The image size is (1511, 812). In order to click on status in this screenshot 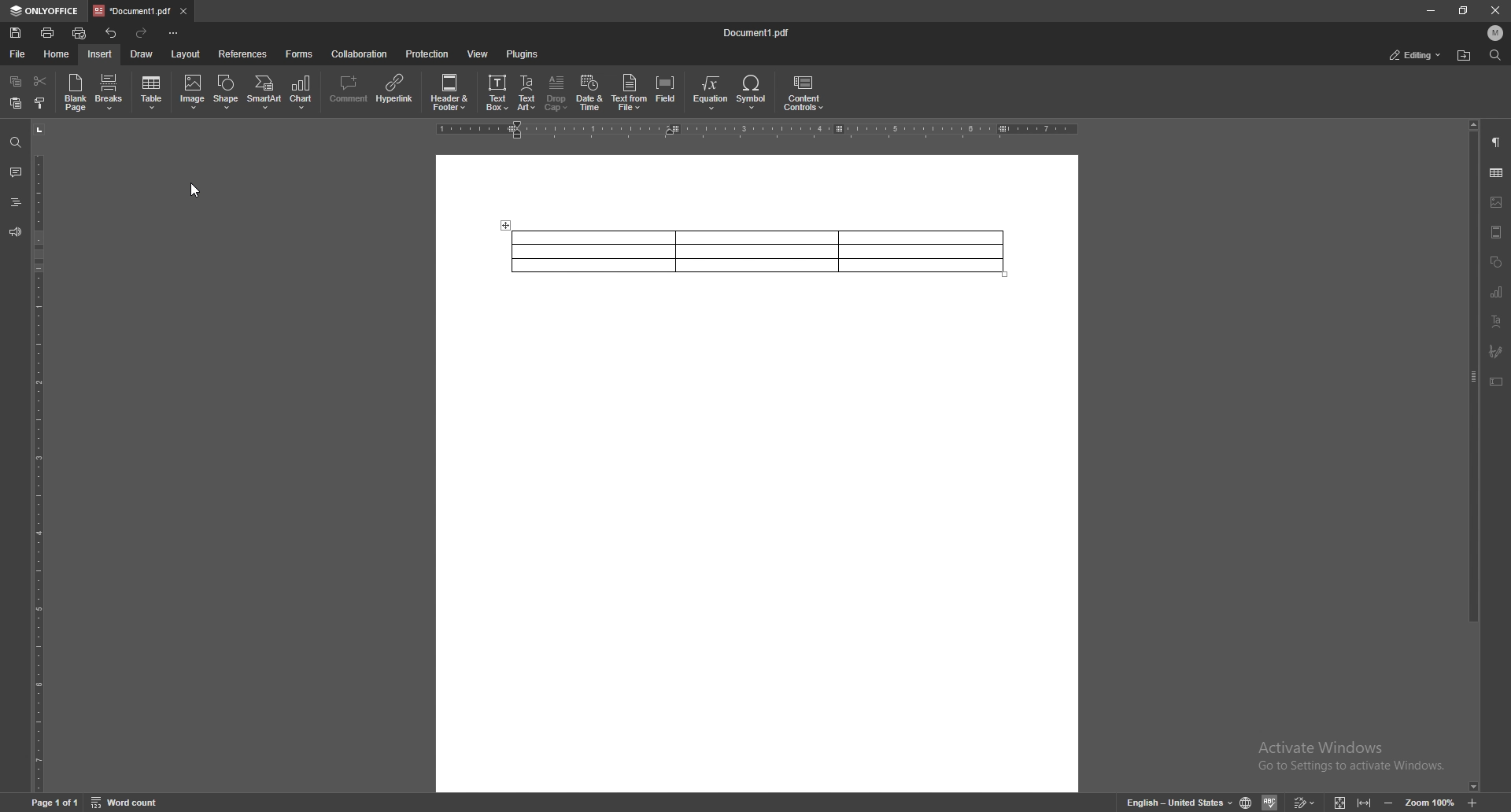, I will do `click(1417, 55)`.